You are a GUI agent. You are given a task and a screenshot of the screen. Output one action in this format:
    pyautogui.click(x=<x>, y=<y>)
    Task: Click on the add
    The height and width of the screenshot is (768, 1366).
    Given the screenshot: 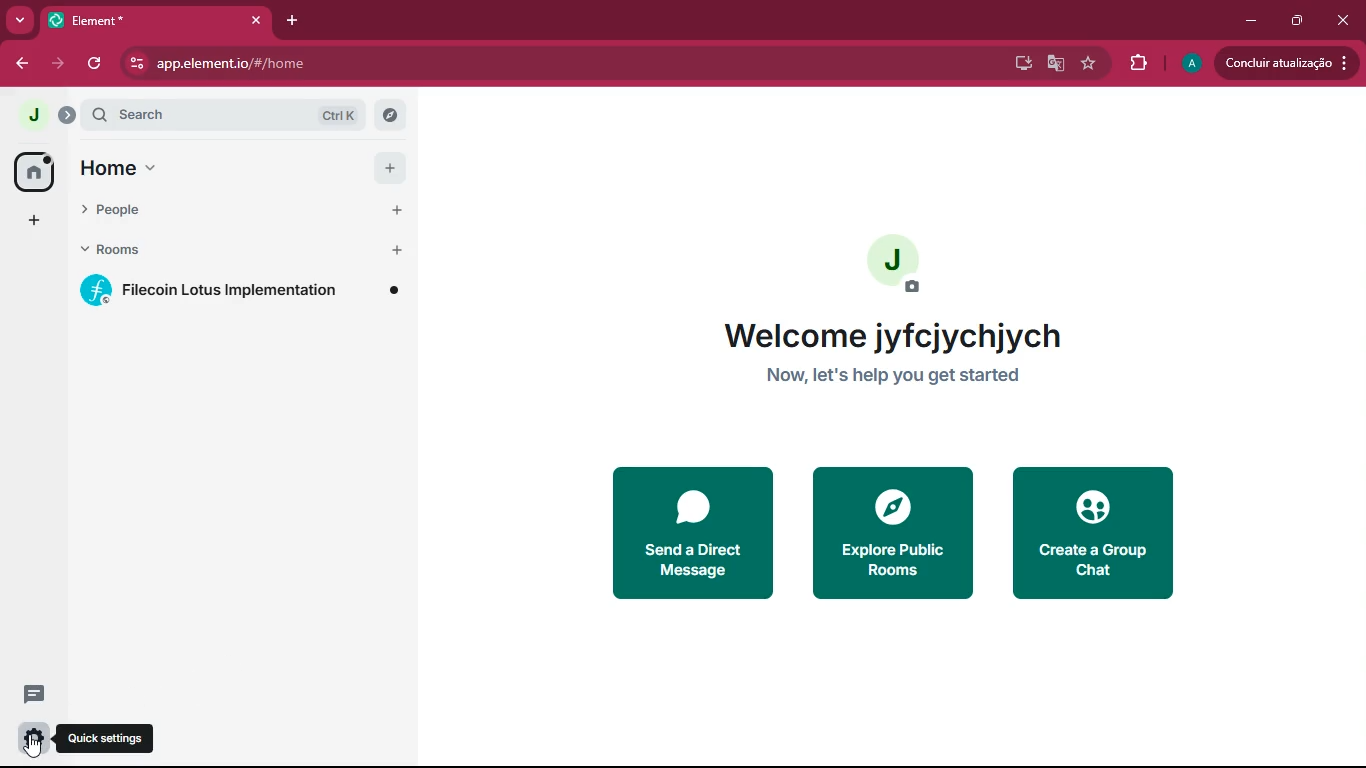 What is the action you would take?
    pyautogui.click(x=34, y=222)
    